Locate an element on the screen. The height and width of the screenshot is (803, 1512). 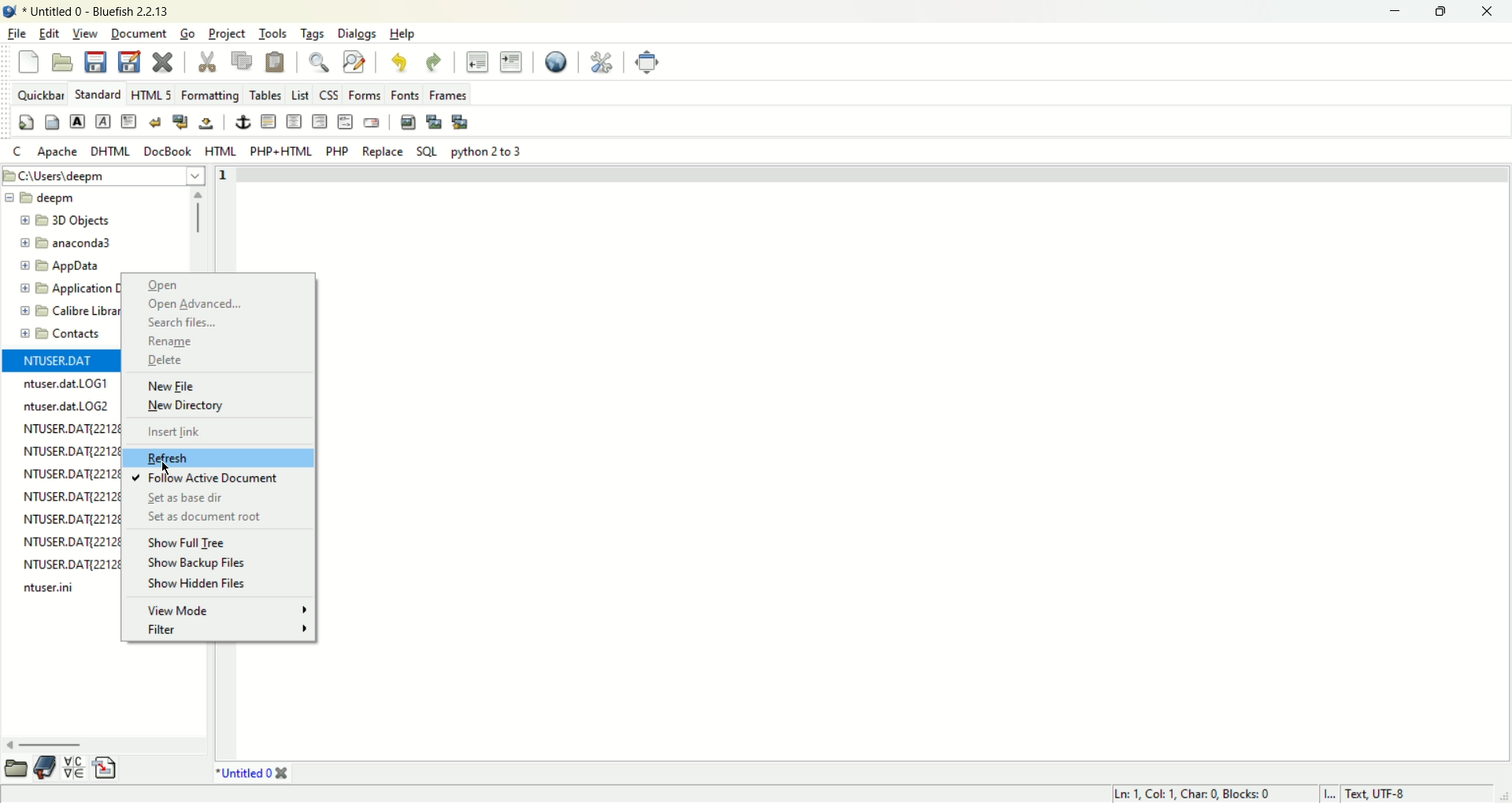
paste is located at coordinates (276, 63).